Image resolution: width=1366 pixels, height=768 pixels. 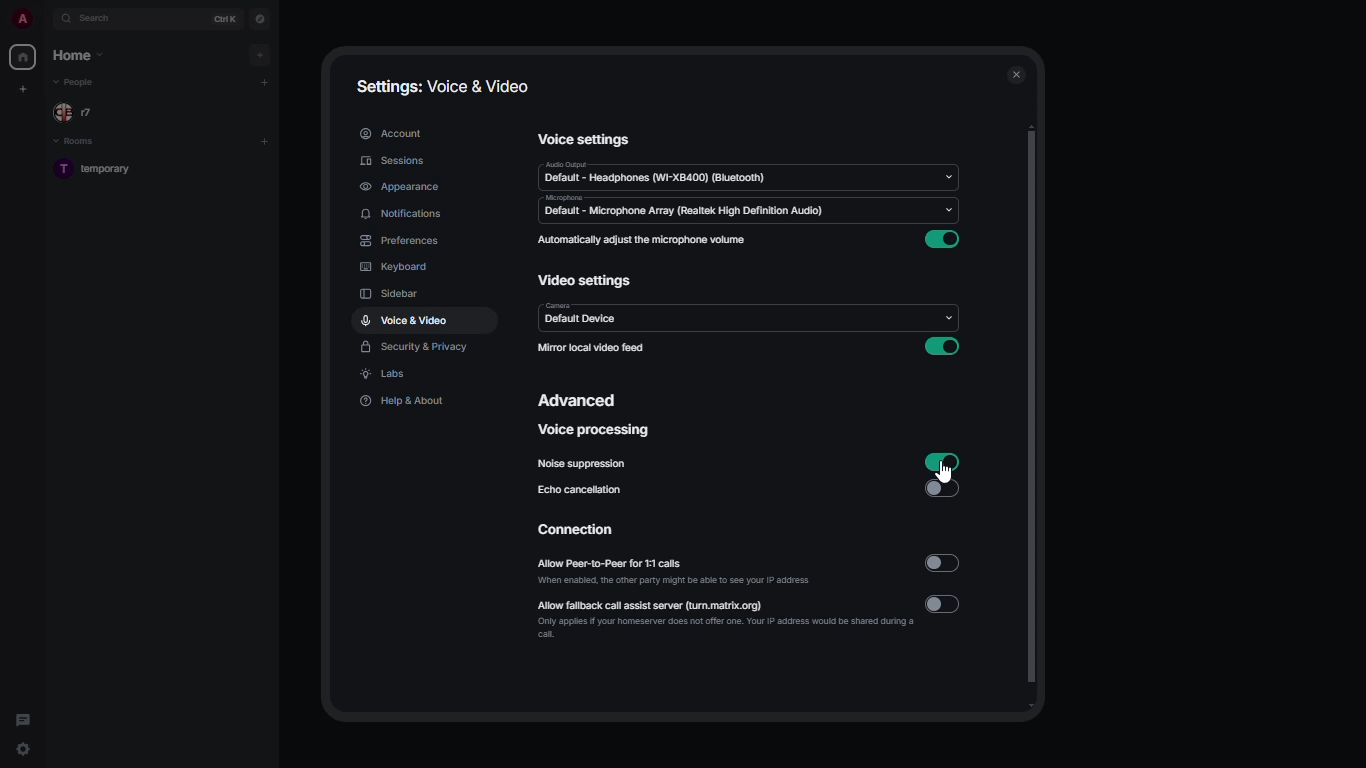 What do you see at coordinates (943, 562) in the screenshot?
I see `disabled` at bounding box center [943, 562].